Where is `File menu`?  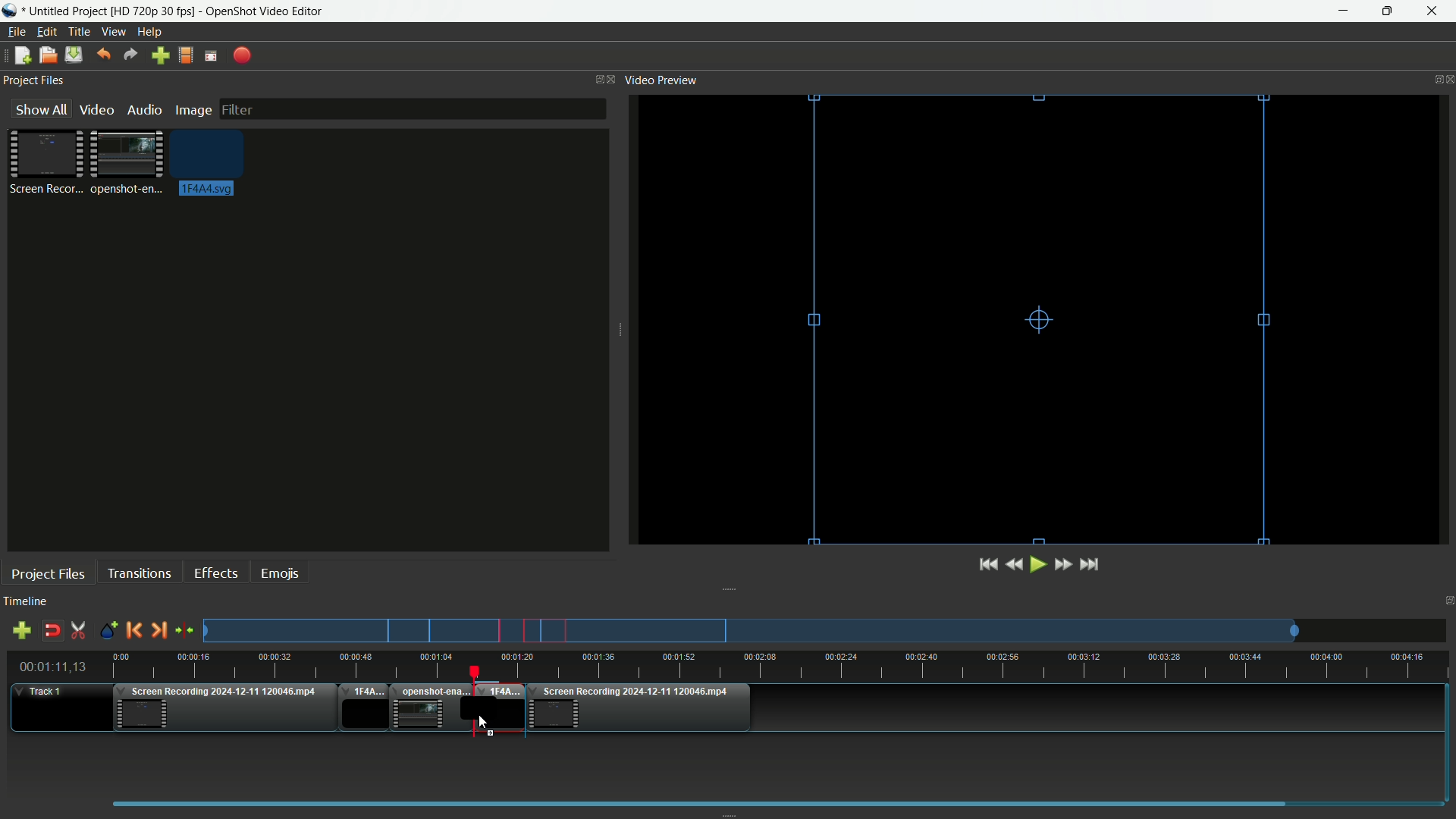 File menu is located at coordinates (14, 33).